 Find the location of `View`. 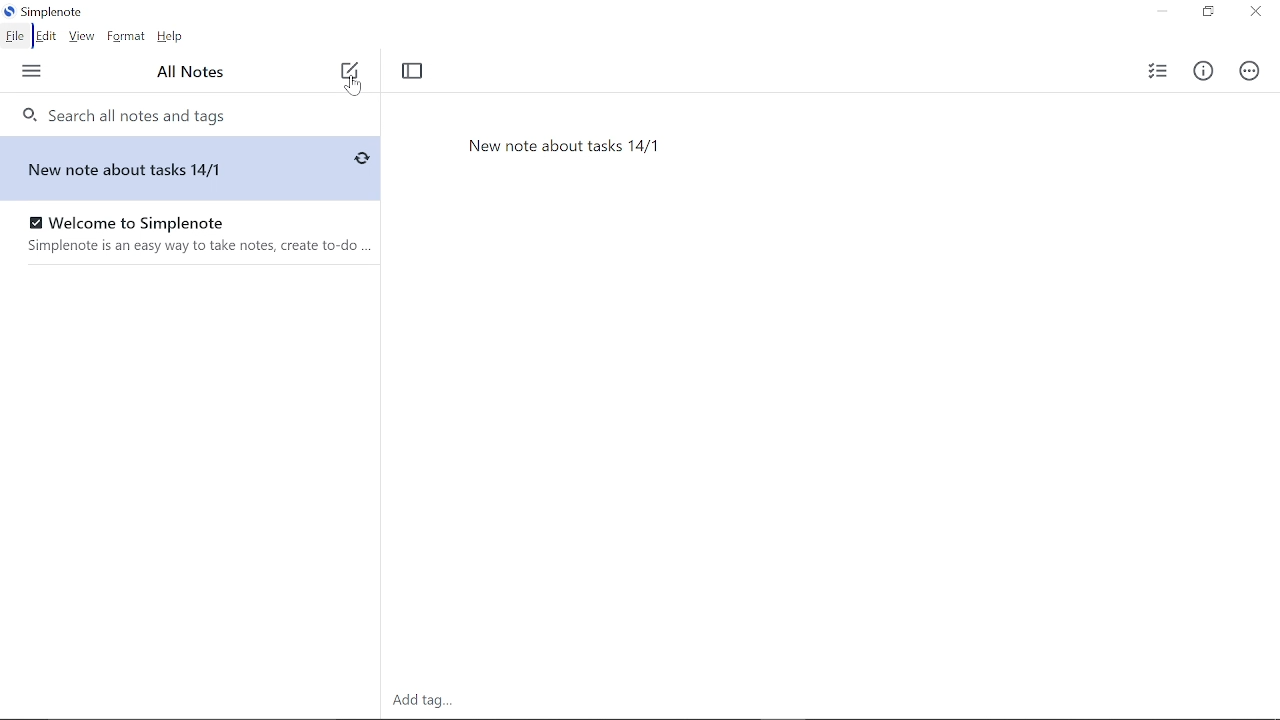

View is located at coordinates (82, 37).